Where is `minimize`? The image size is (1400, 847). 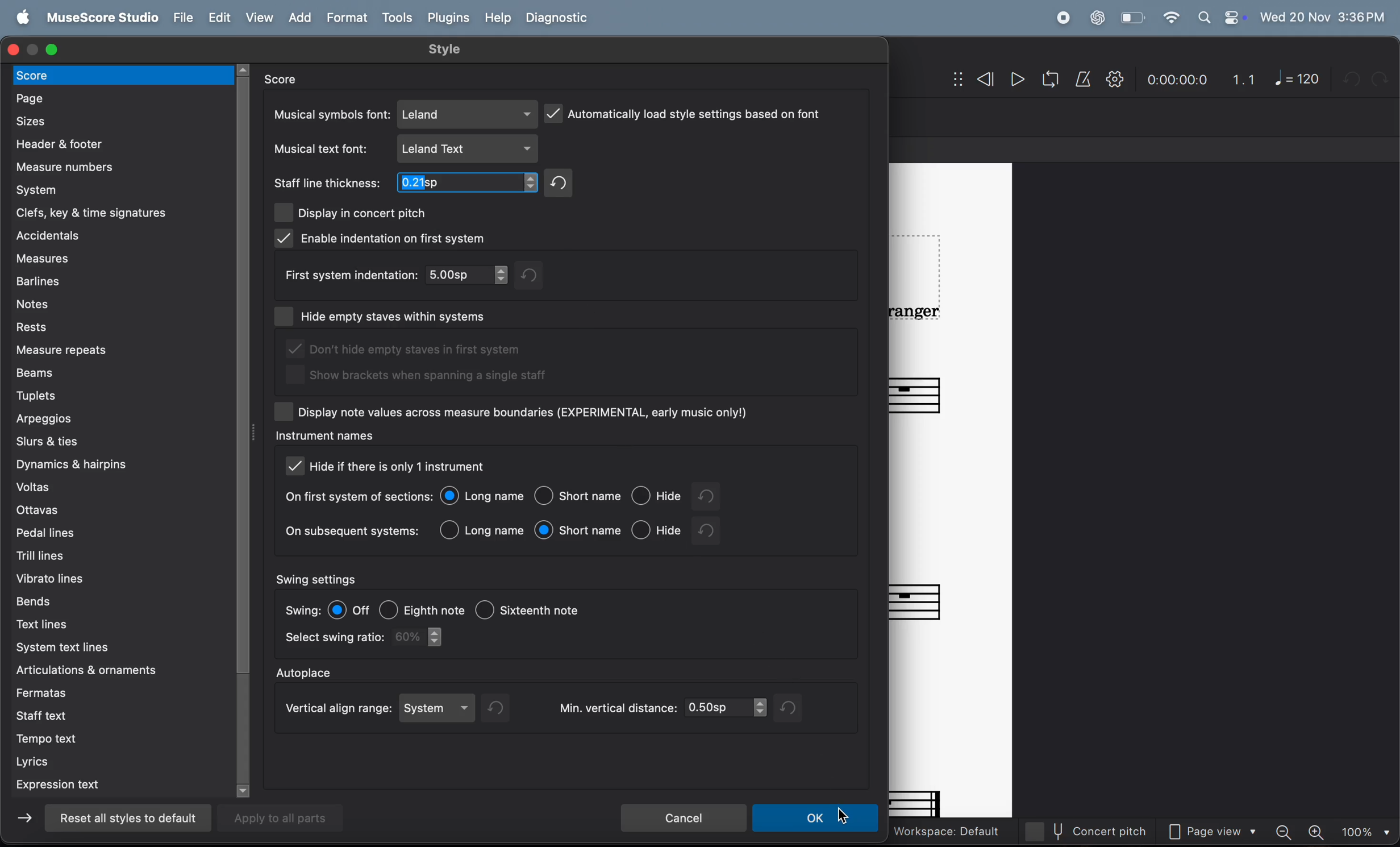 minimize is located at coordinates (35, 49).